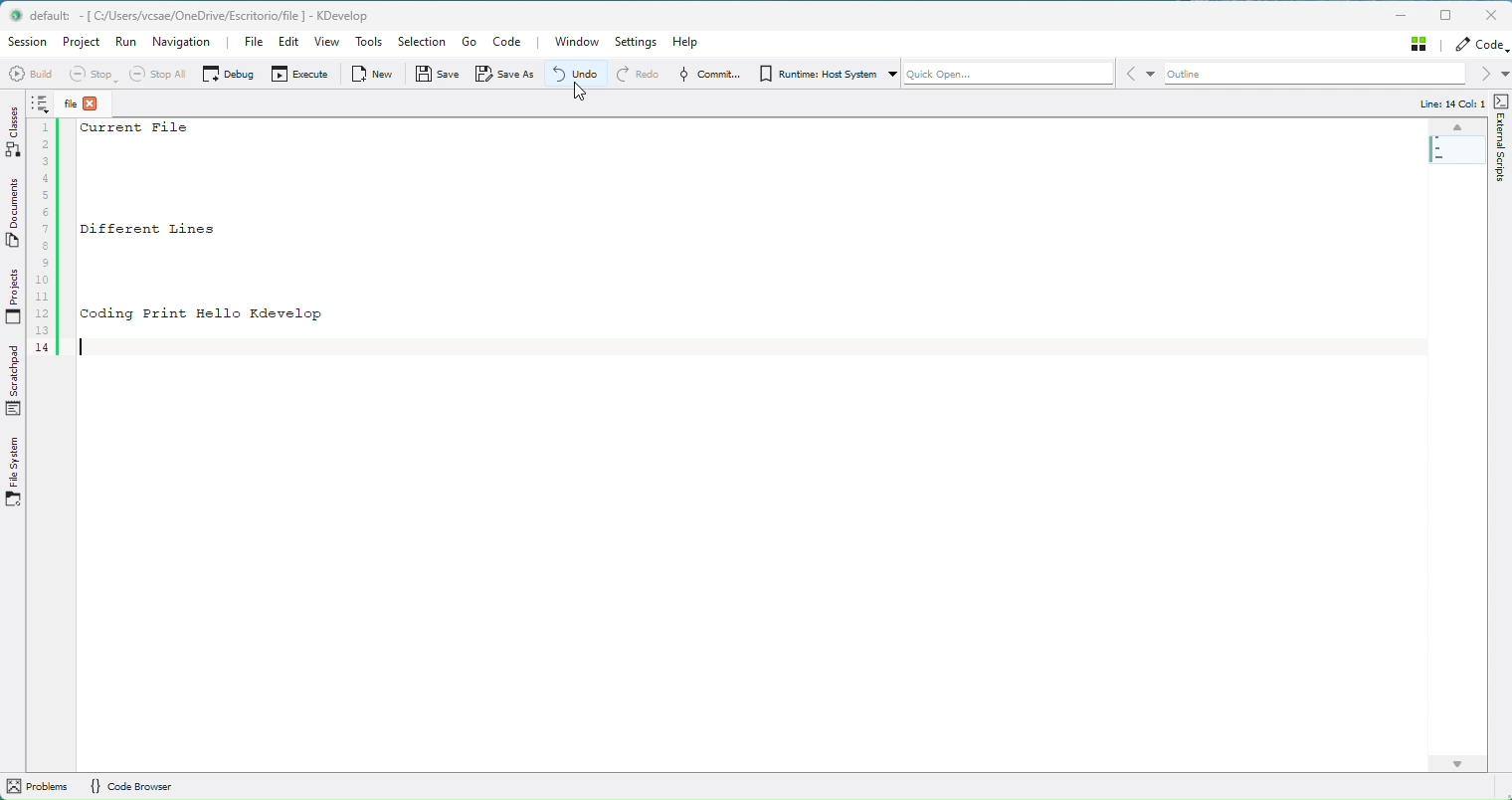  Describe the element at coordinates (378, 73) in the screenshot. I see `New` at that location.